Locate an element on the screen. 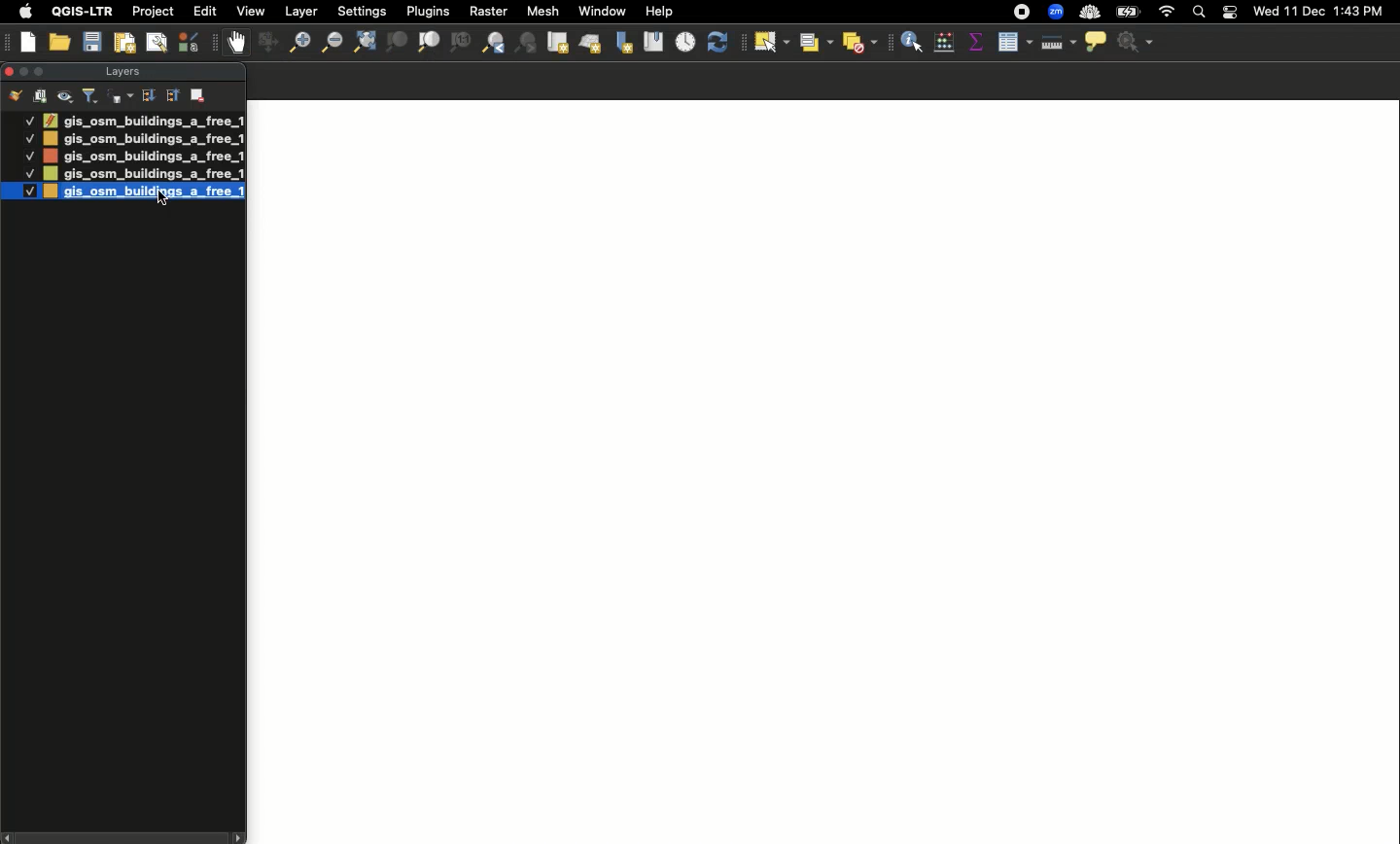  Mesh is located at coordinates (542, 11).